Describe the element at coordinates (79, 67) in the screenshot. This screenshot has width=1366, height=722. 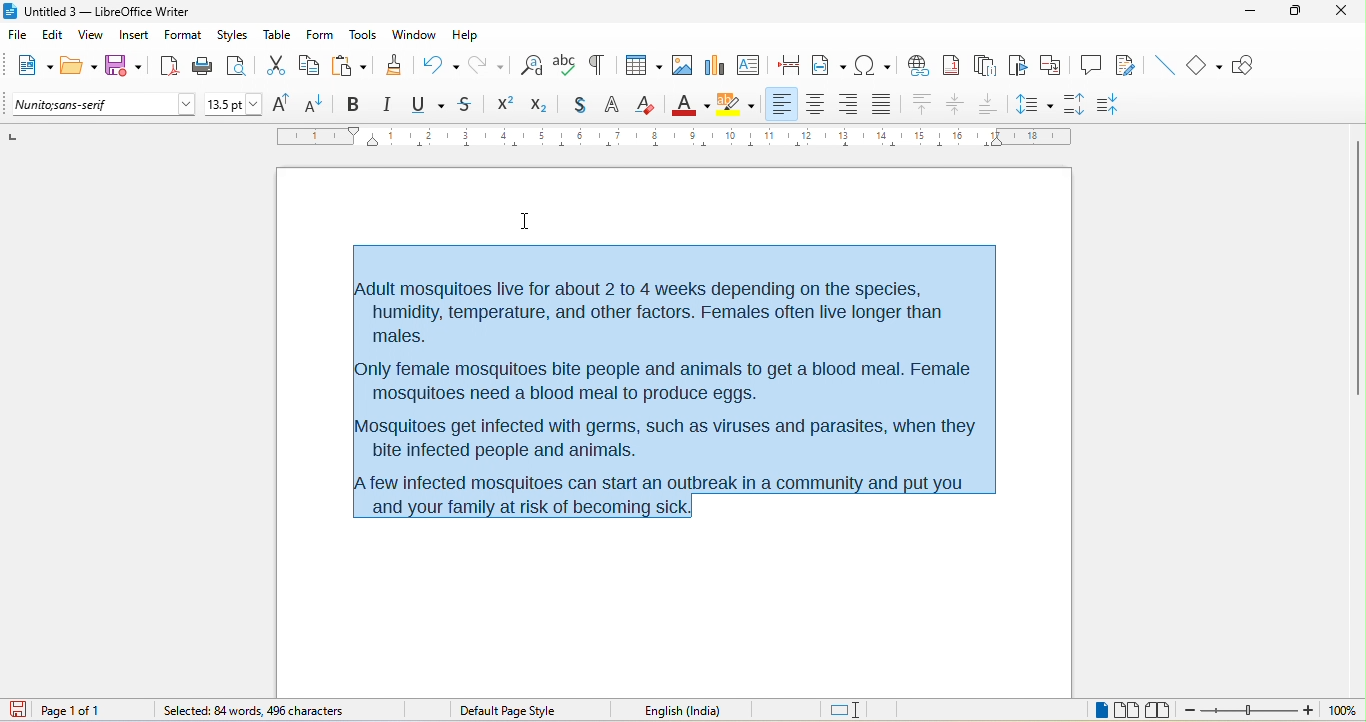
I see `open` at that location.